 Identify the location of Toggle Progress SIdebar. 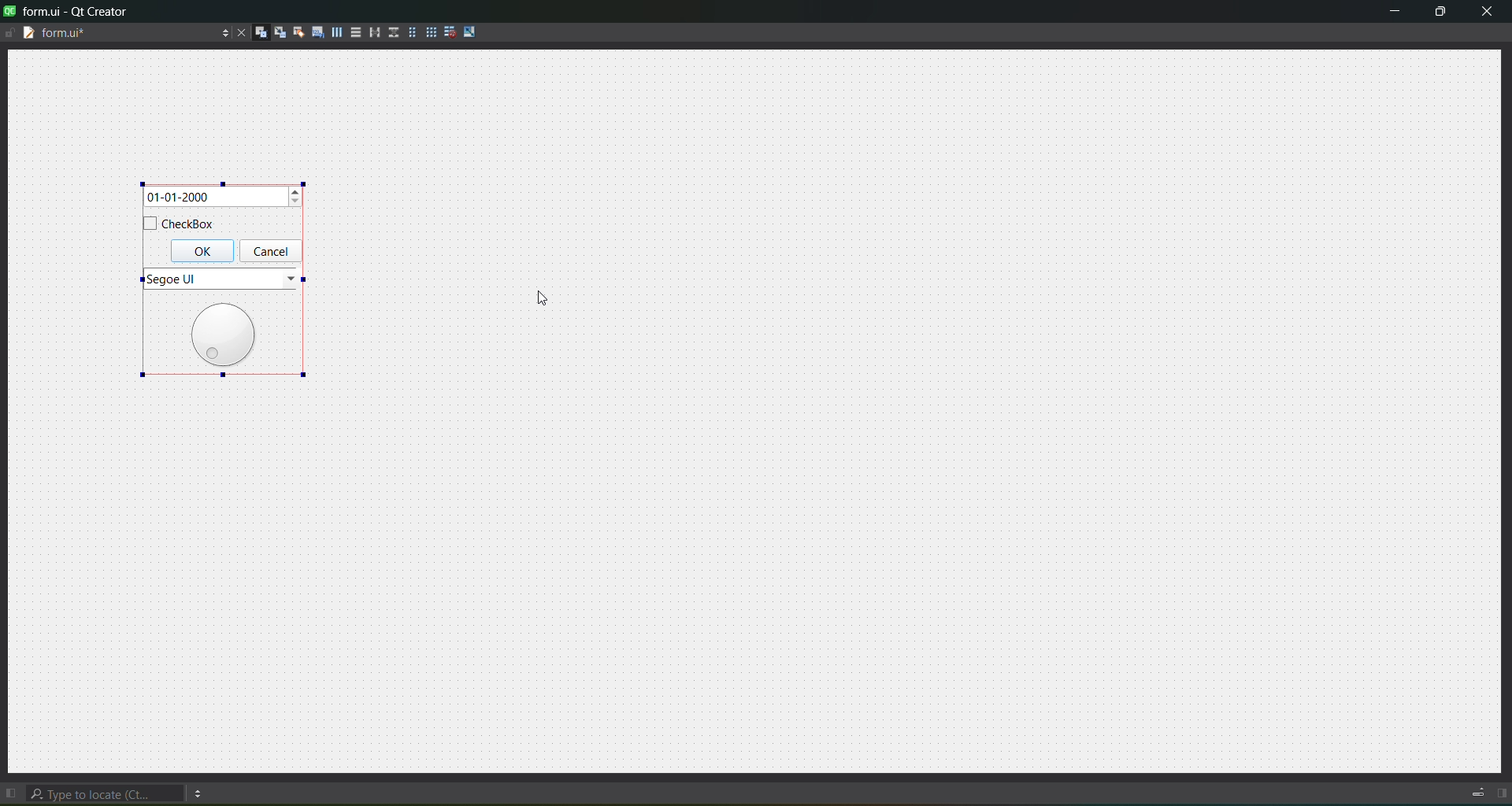
(1473, 789).